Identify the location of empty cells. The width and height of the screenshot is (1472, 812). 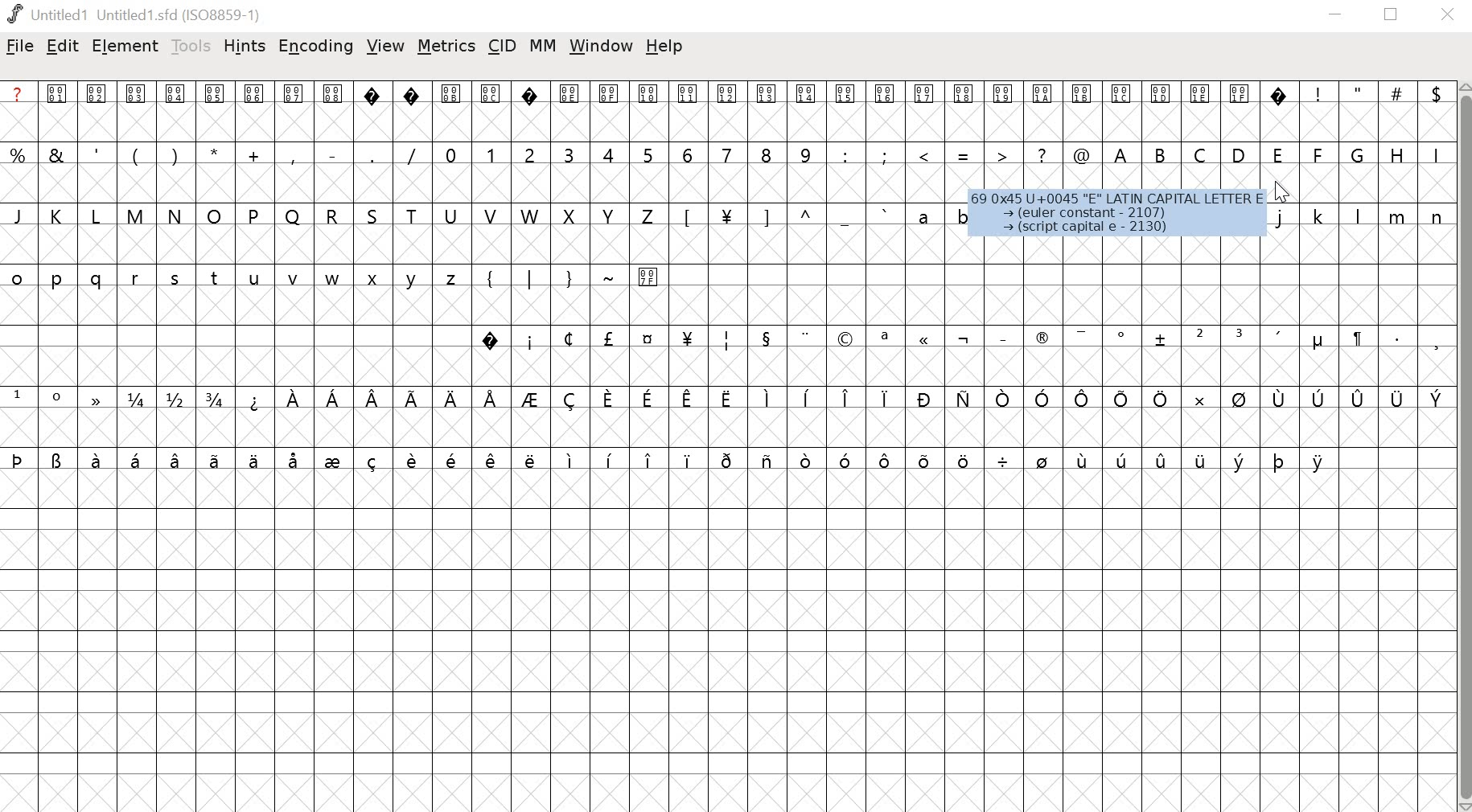
(1061, 275).